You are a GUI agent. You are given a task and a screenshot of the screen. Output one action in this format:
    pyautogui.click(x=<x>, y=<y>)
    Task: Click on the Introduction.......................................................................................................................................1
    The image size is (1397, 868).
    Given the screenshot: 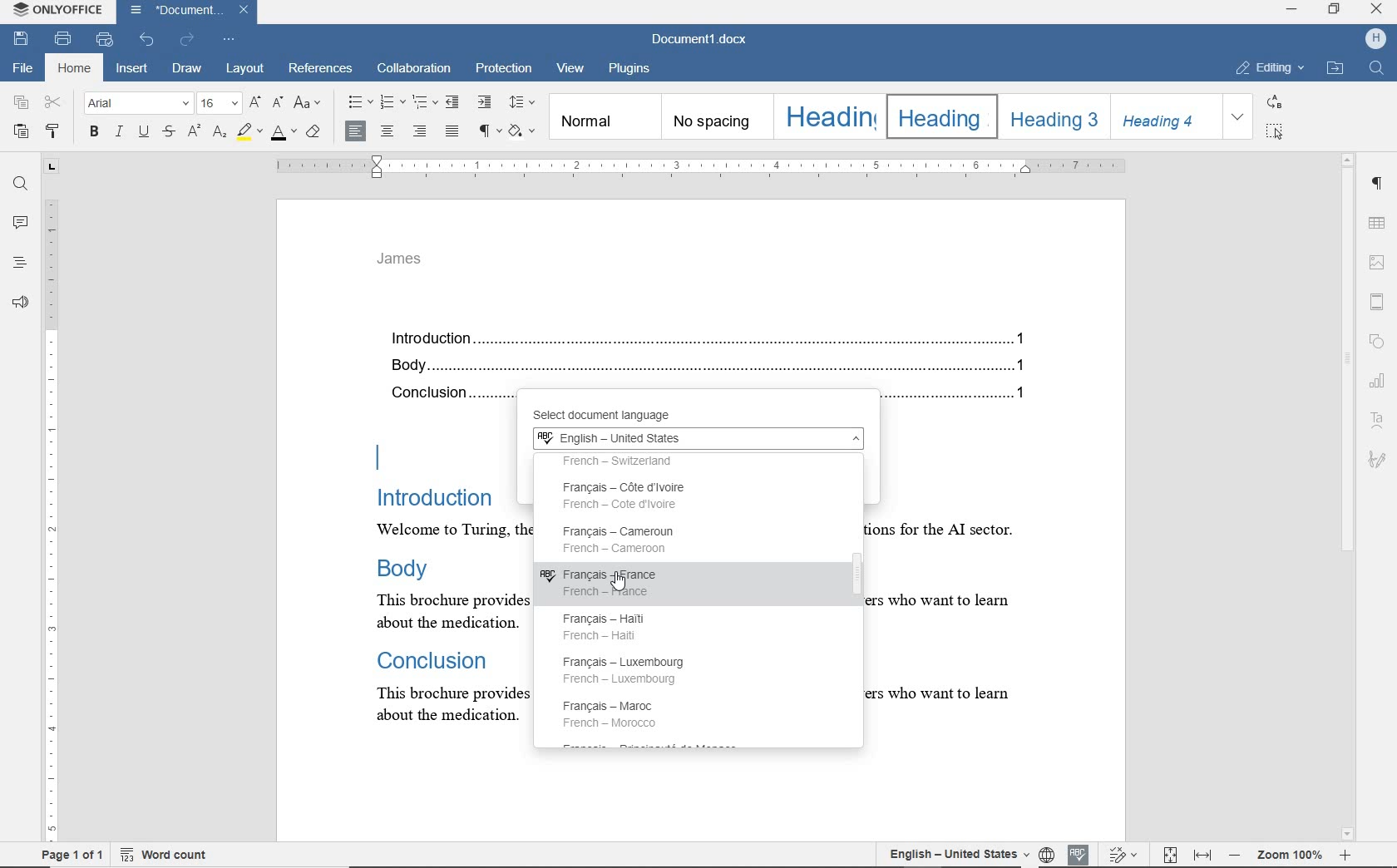 What is the action you would take?
    pyautogui.click(x=714, y=340)
    